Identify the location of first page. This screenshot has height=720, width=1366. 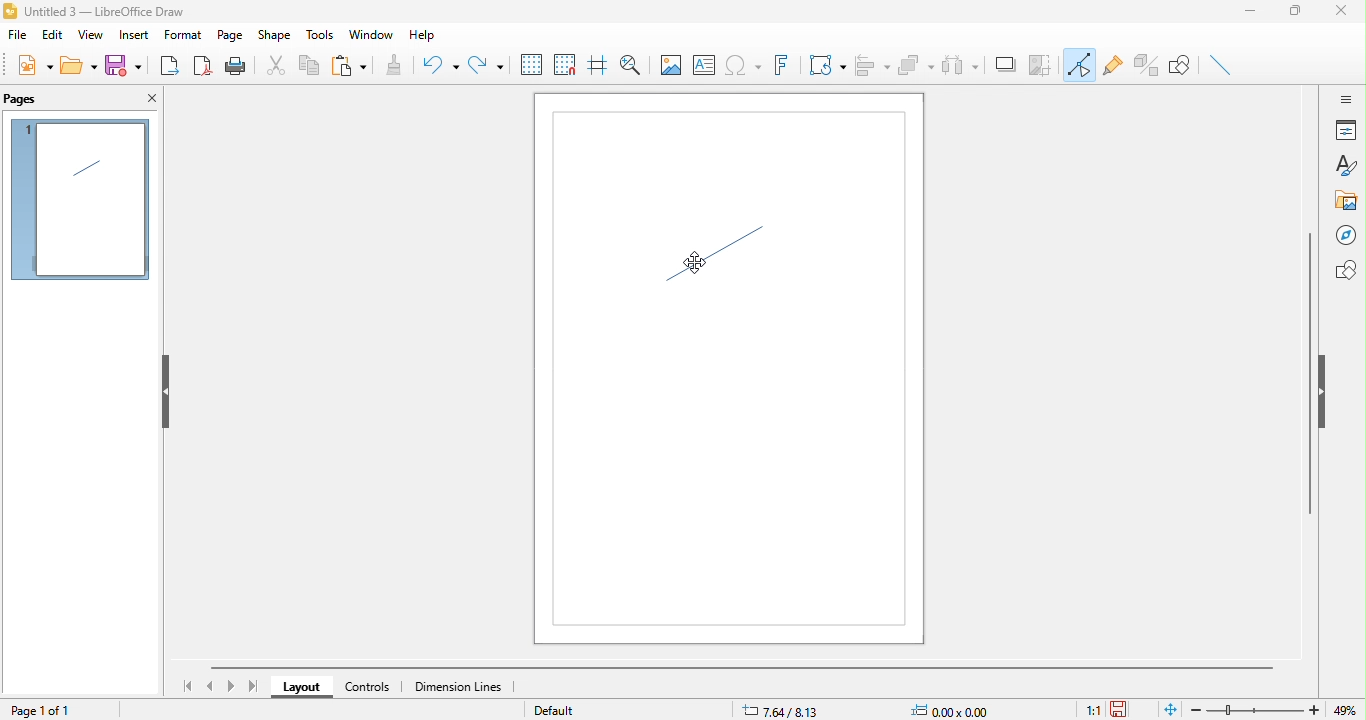
(191, 686).